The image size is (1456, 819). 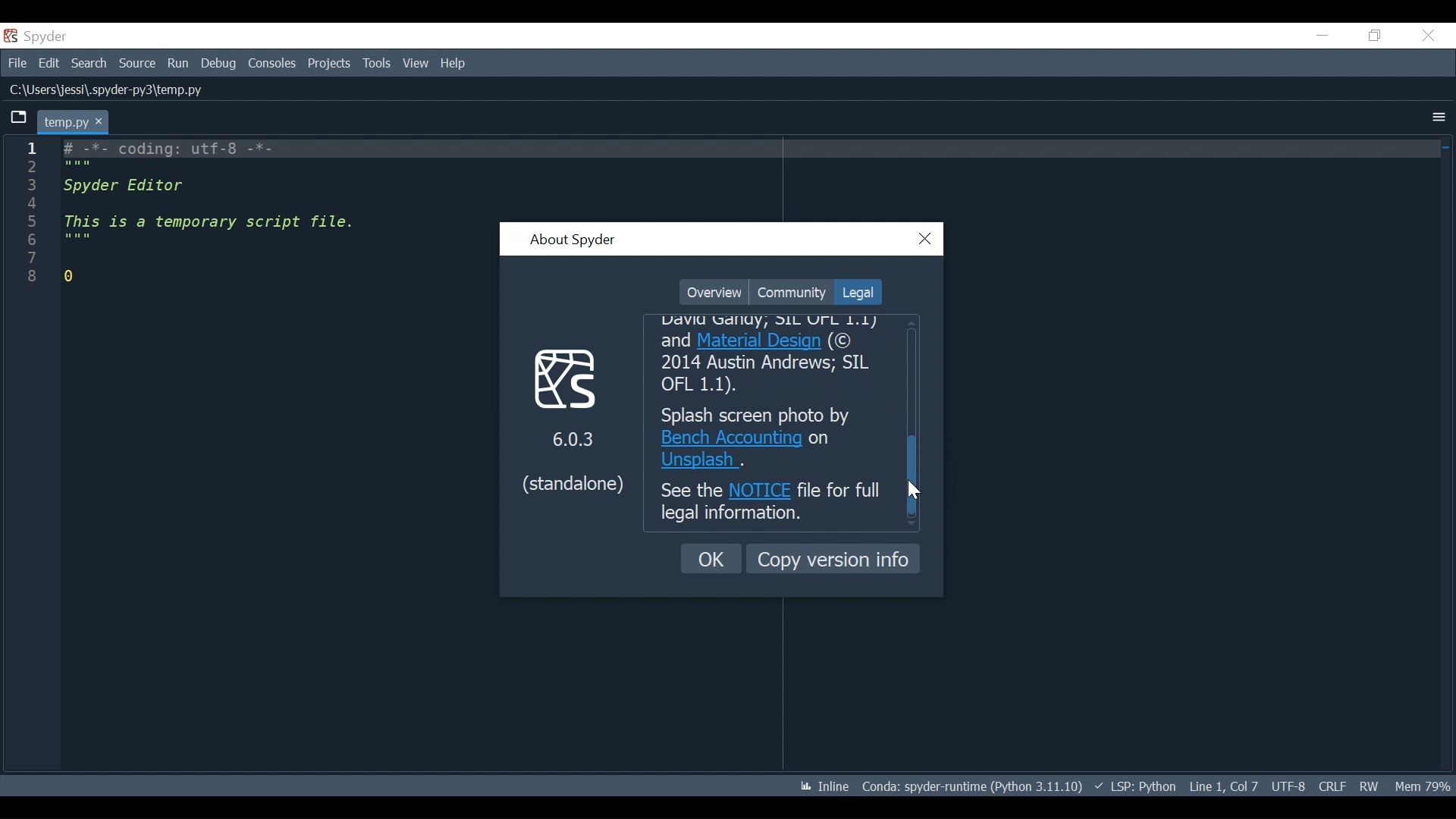 What do you see at coordinates (712, 559) in the screenshot?
I see `OK` at bounding box center [712, 559].